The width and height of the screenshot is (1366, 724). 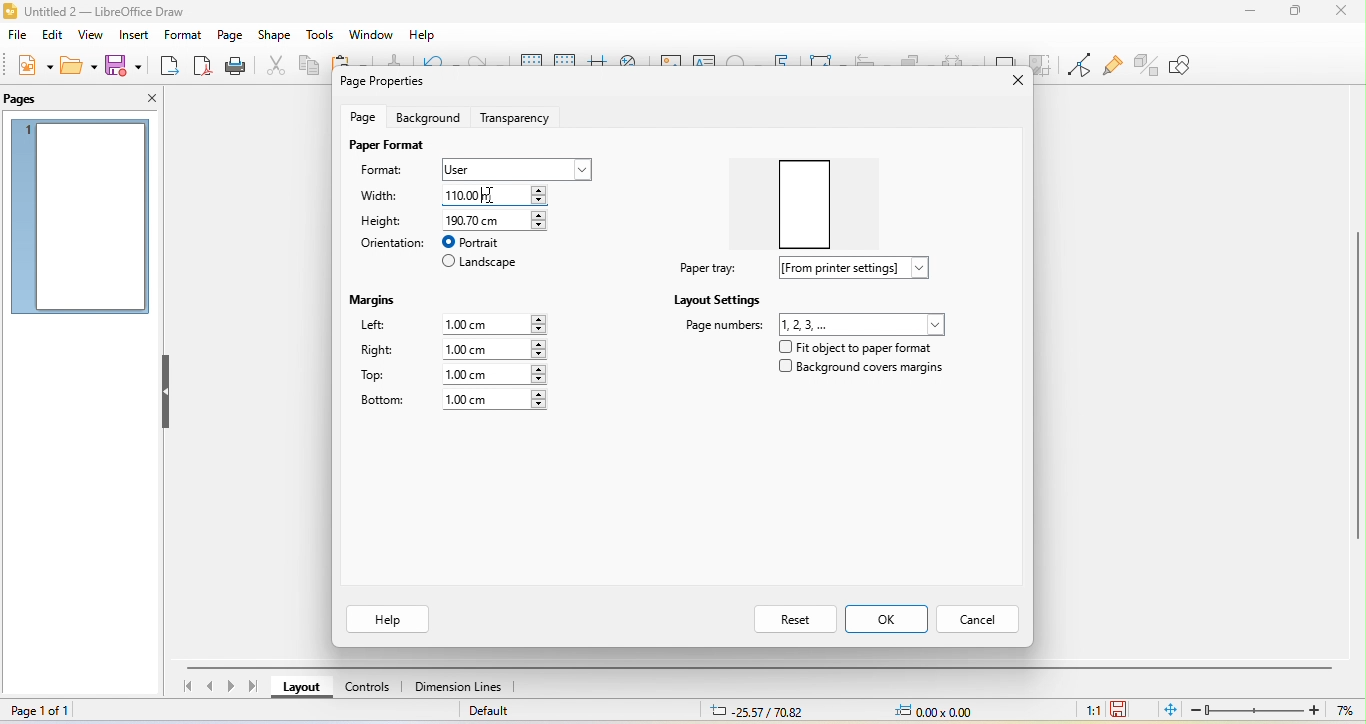 I want to click on window, so click(x=371, y=35).